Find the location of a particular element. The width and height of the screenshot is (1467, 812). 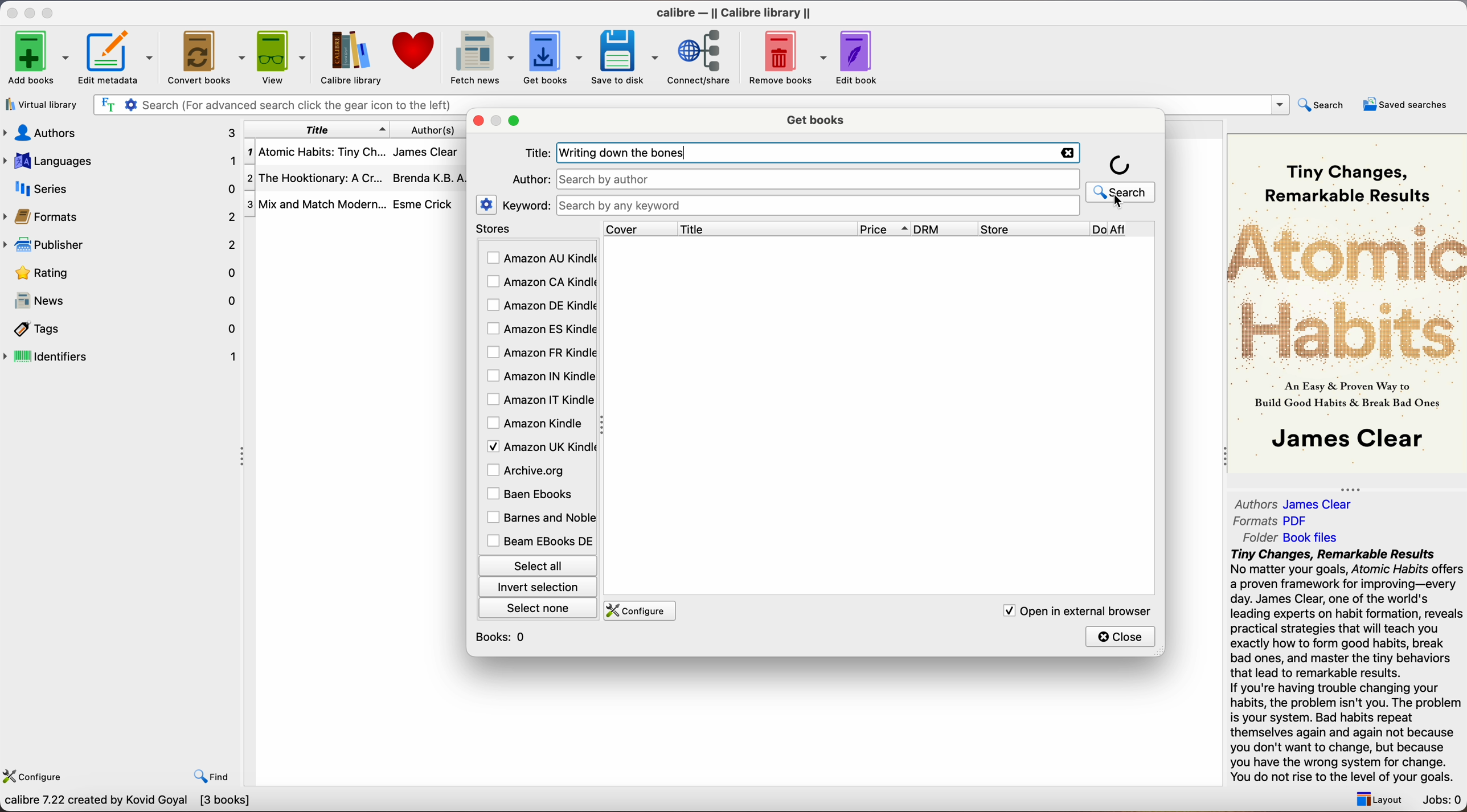

Amazon UK Kindle is located at coordinates (539, 446).